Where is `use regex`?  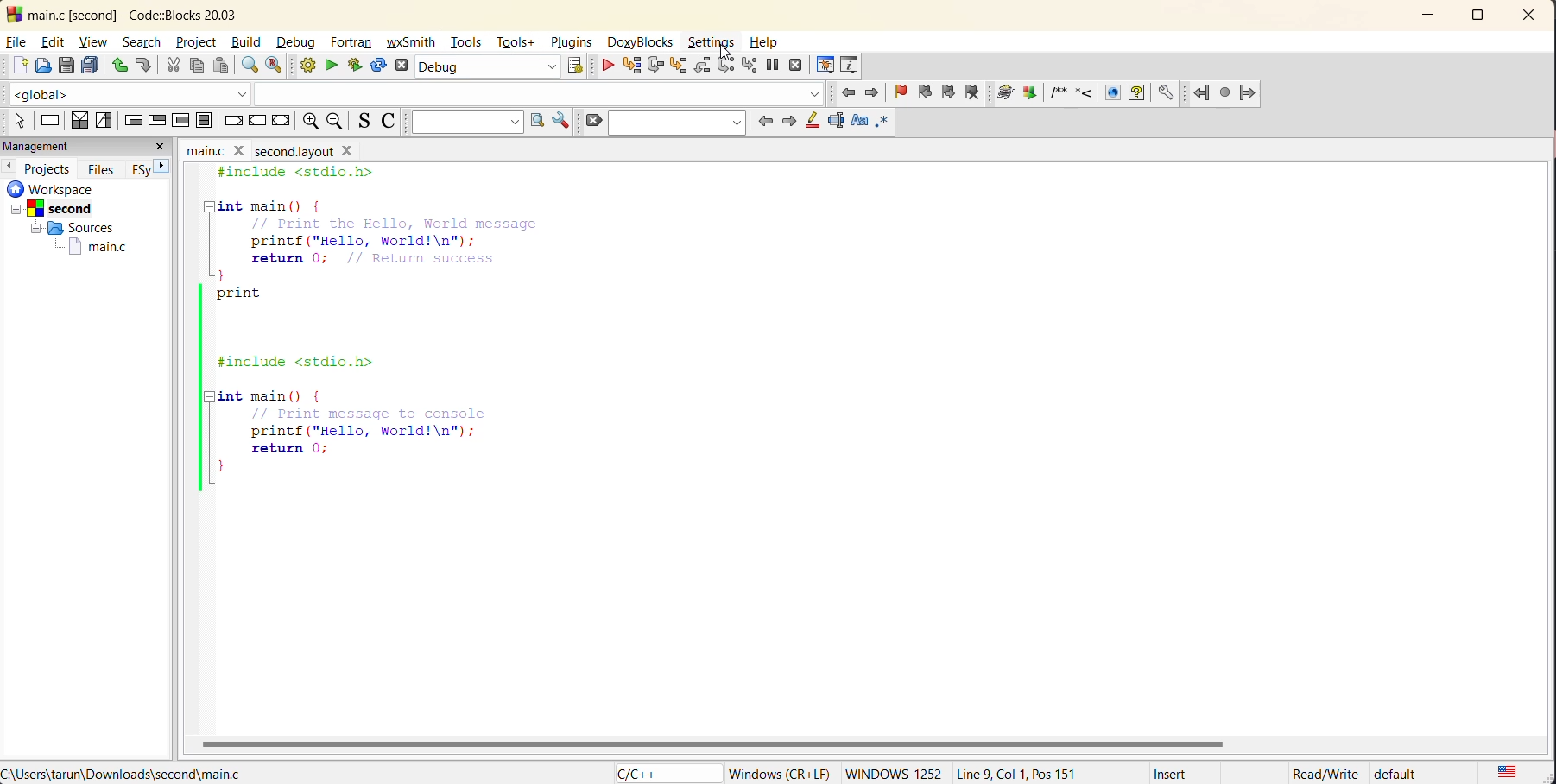
use regex is located at coordinates (882, 121).